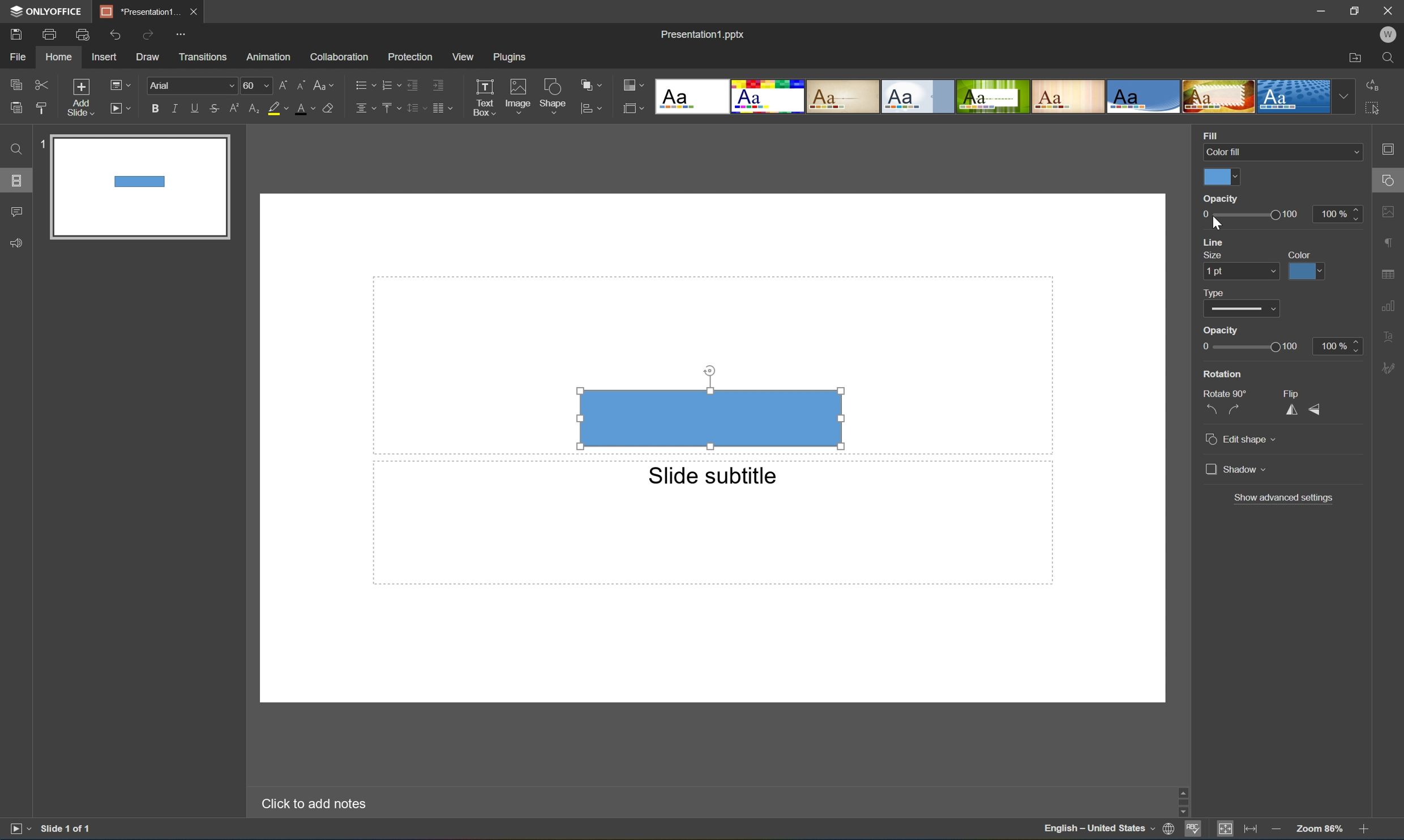 This screenshot has width=1404, height=840. Describe the element at coordinates (551, 97) in the screenshot. I see `Shape` at that location.